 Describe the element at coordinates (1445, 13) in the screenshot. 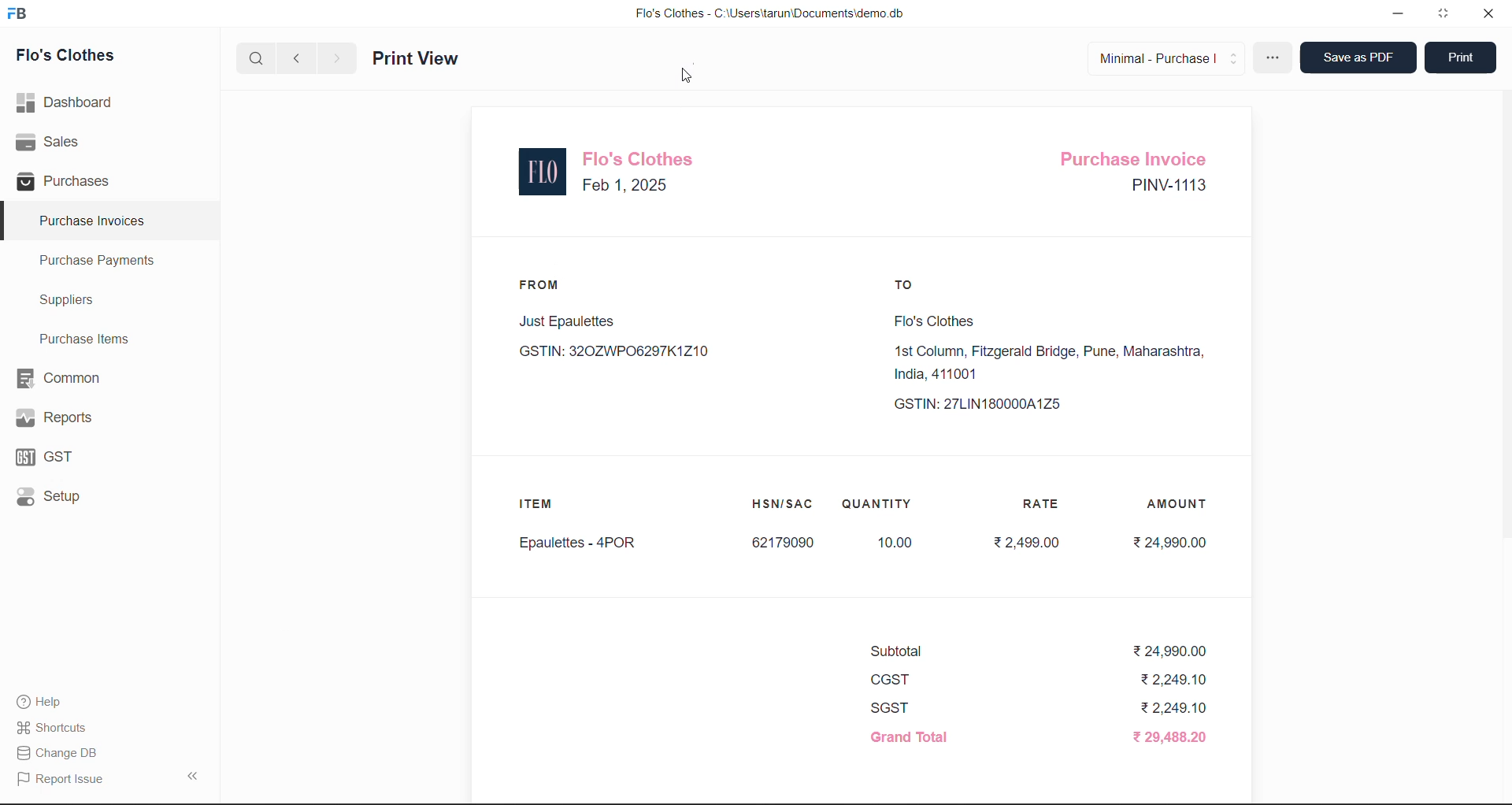

I see `window mode` at that location.